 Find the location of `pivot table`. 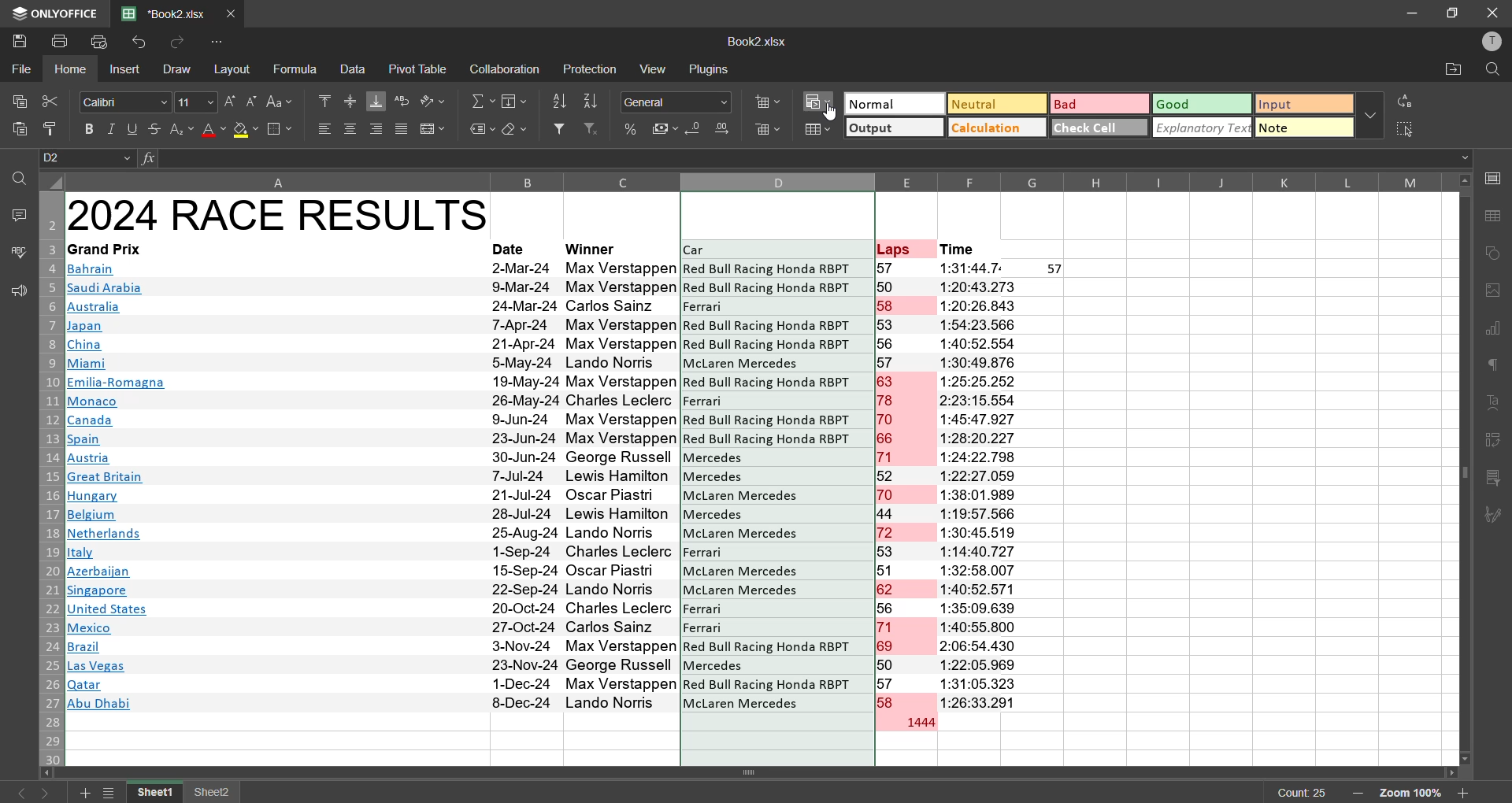

pivot table is located at coordinates (1494, 443).